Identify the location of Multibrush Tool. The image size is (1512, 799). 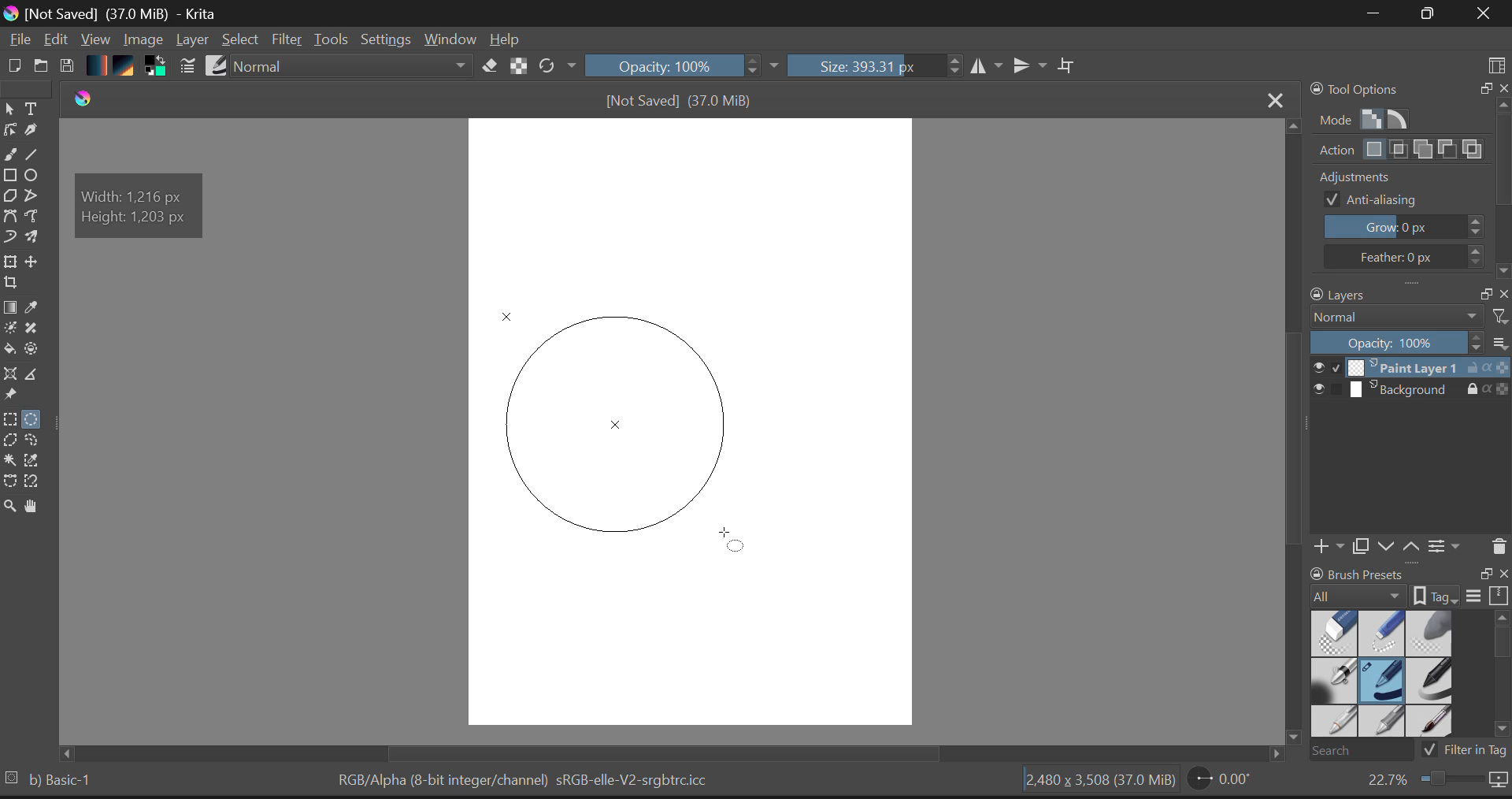
(37, 238).